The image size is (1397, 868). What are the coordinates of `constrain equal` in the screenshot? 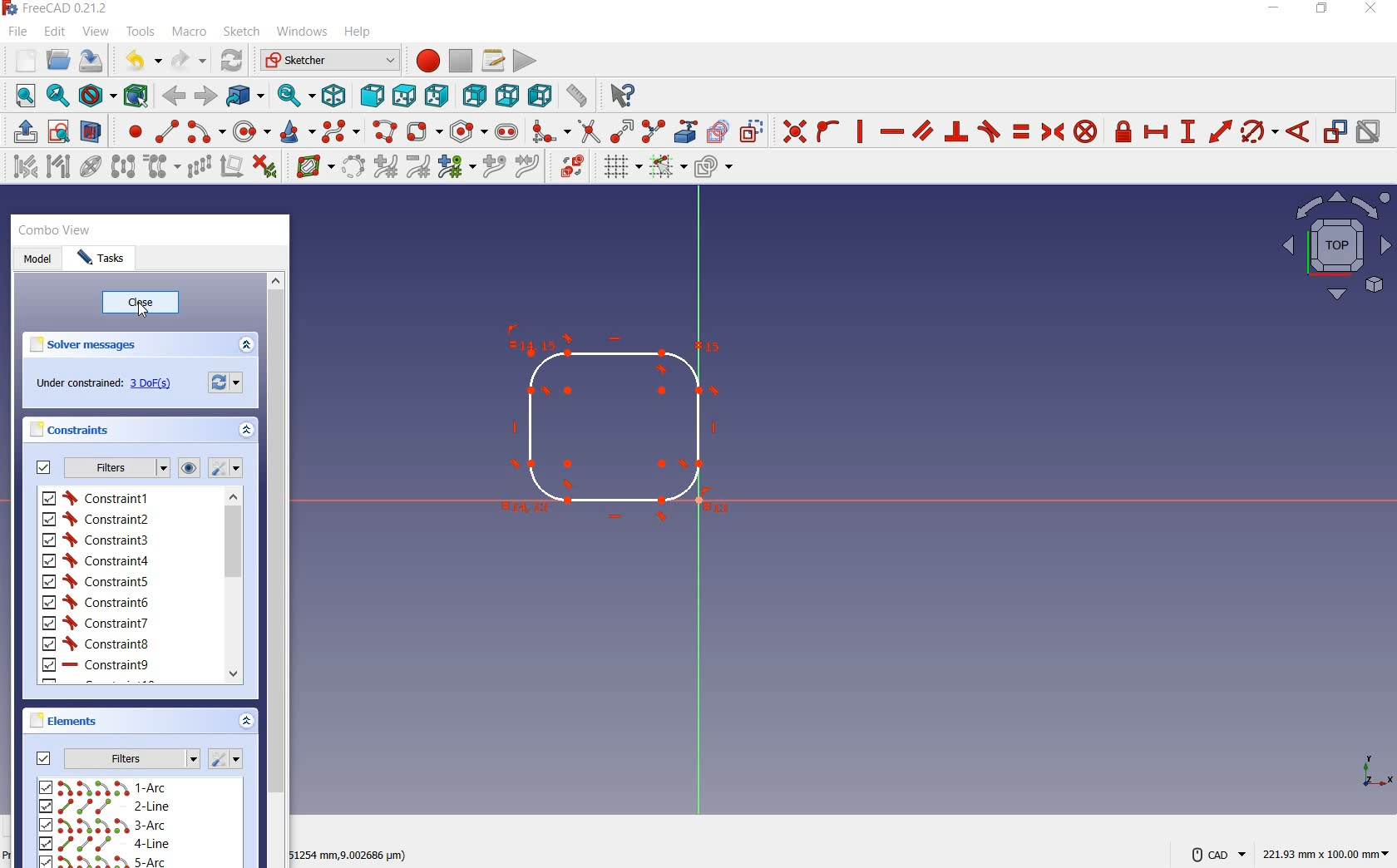 It's located at (1020, 132).